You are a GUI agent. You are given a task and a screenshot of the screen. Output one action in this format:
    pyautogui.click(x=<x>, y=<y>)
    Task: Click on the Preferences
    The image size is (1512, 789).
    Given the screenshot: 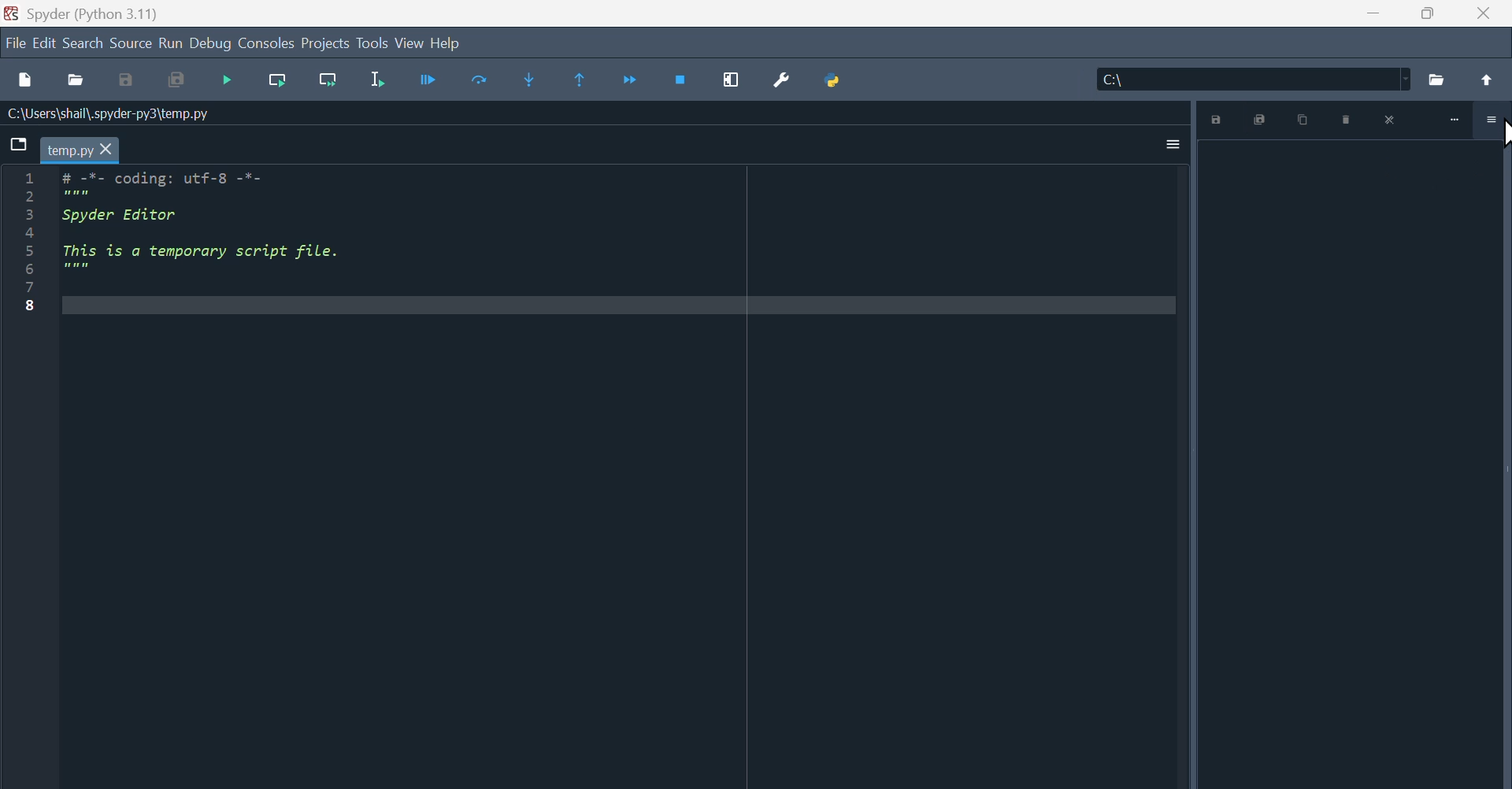 What is the action you would take?
    pyautogui.click(x=774, y=80)
    